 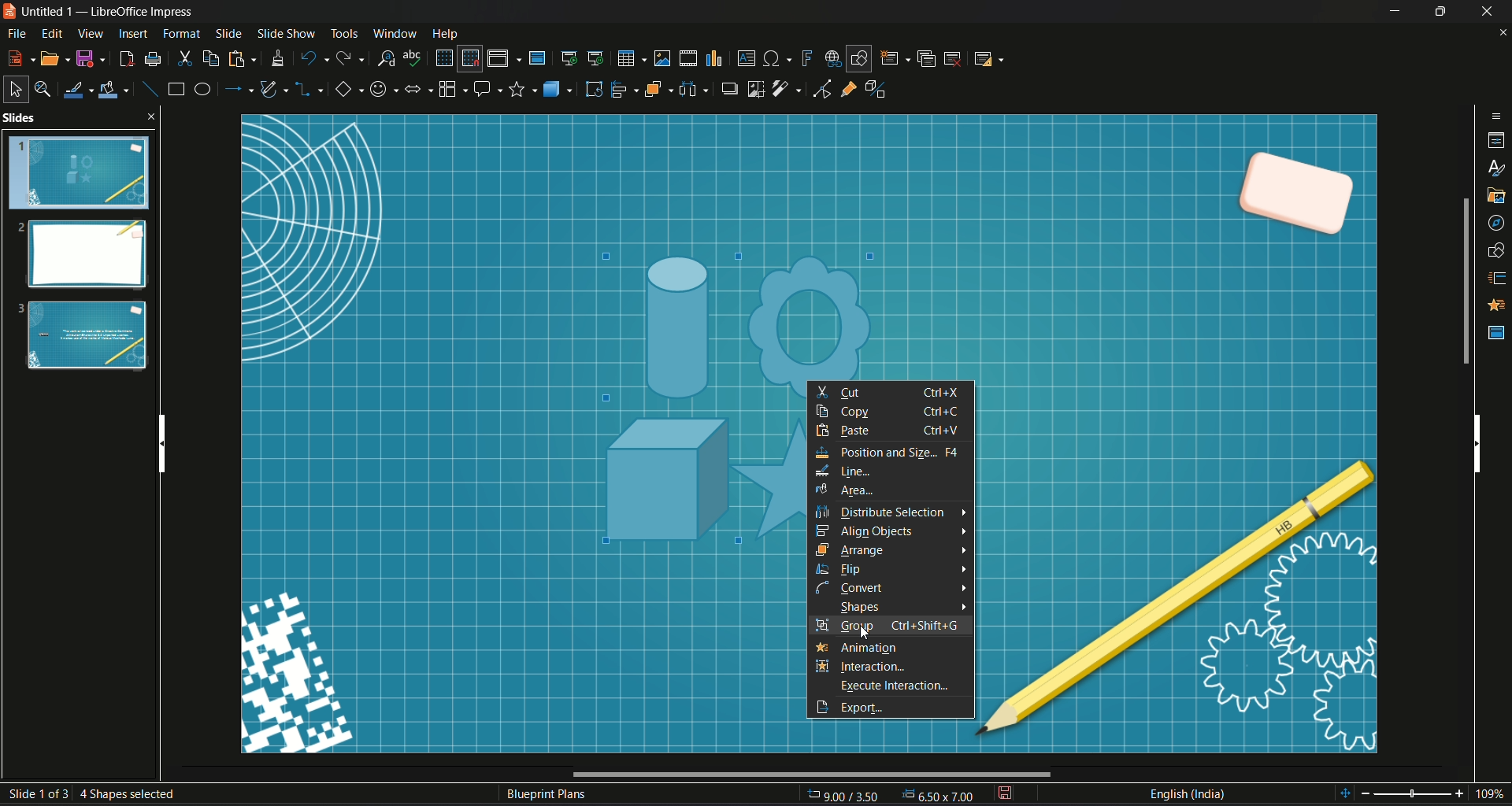 I want to click on connect, so click(x=854, y=588).